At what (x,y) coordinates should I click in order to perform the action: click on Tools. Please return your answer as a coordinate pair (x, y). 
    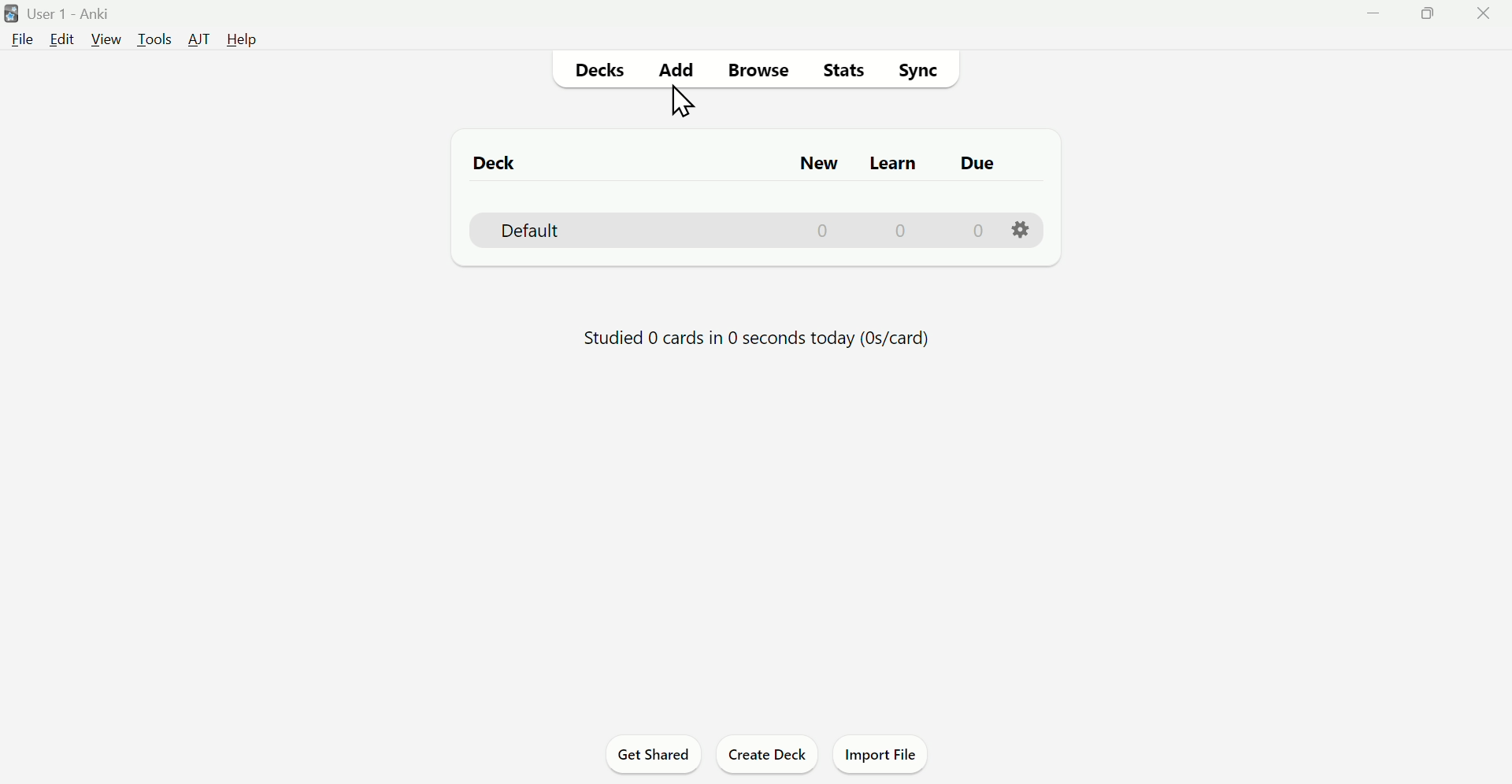
    Looking at the image, I should click on (153, 41).